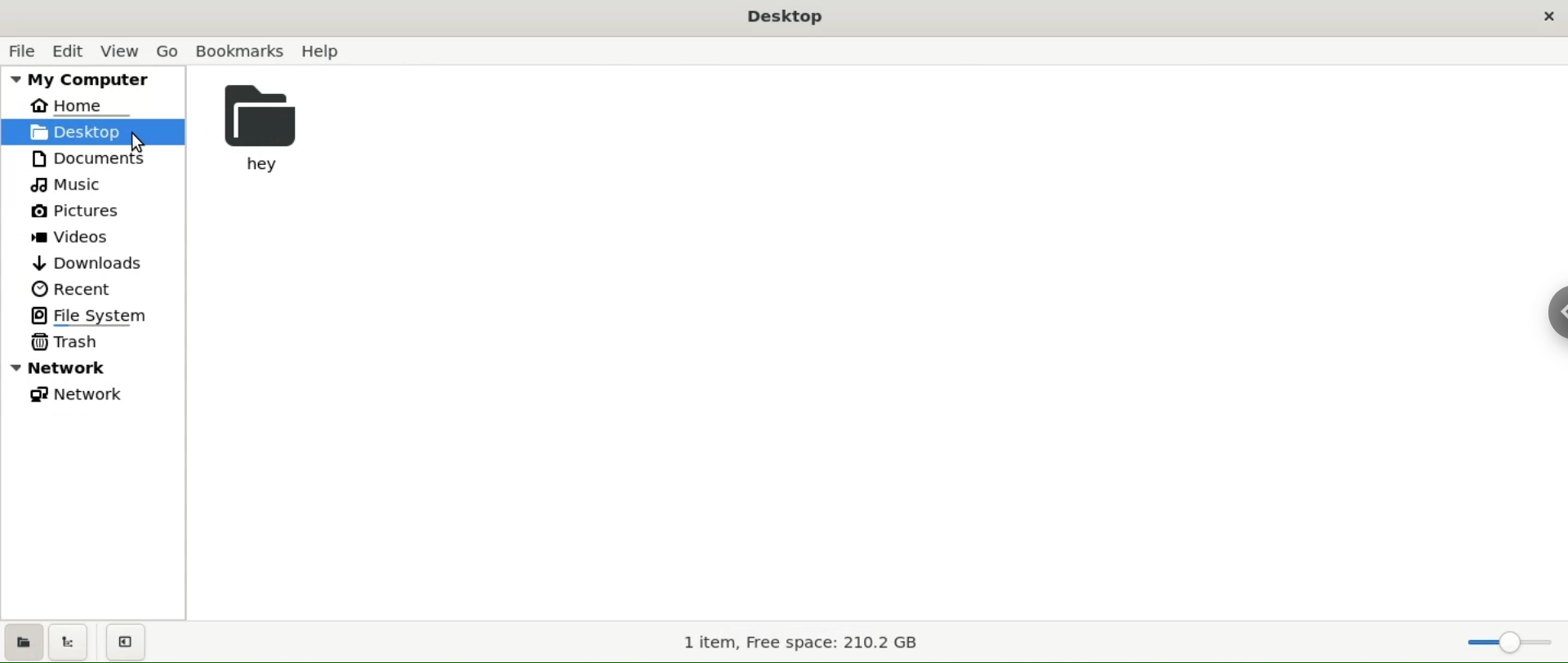 Image resolution: width=1568 pixels, height=663 pixels. What do you see at coordinates (69, 642) in the screenshot?
I see `show treeview` at bounding box center [69, 642].